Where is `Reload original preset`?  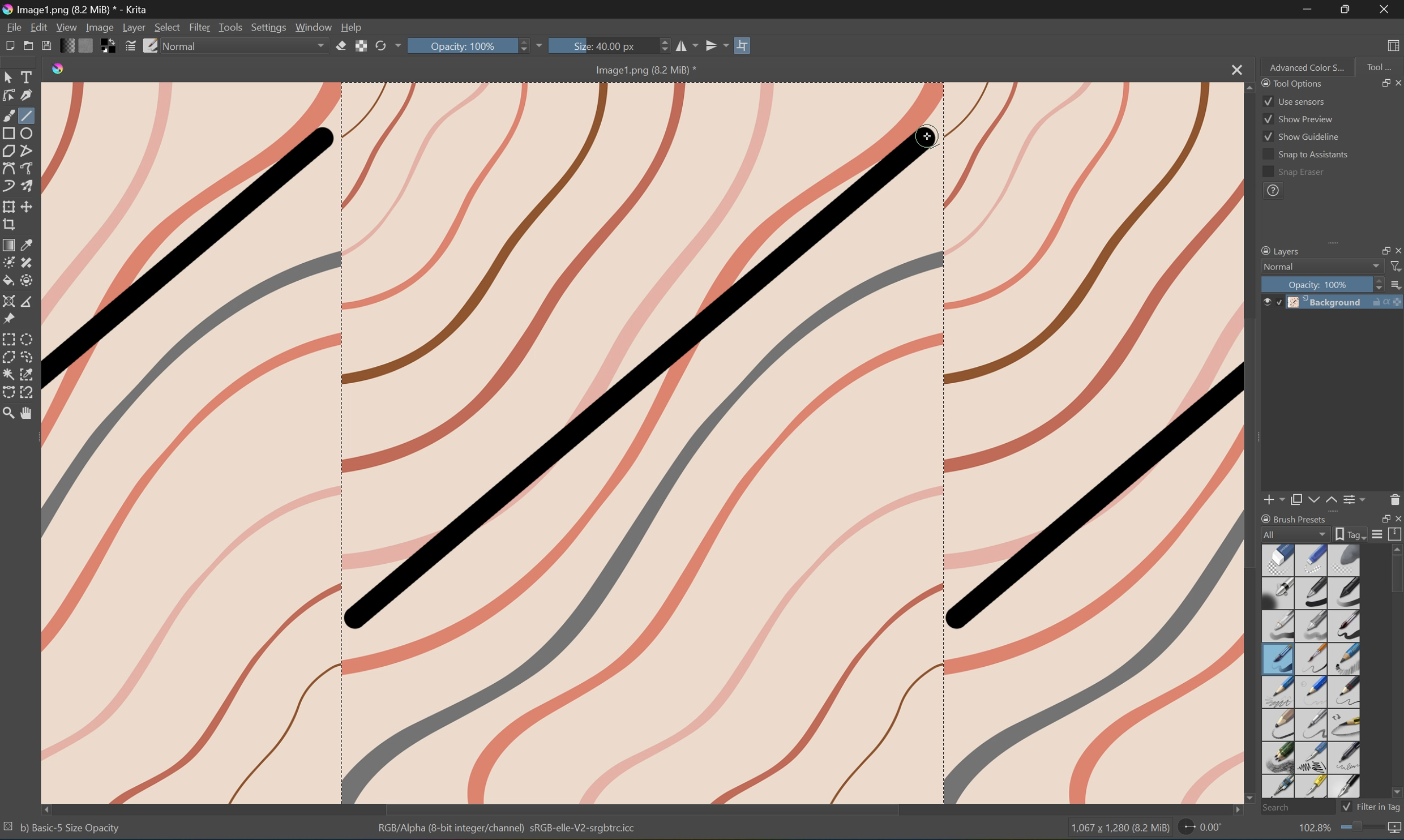
Reload original preset is located at coordinates (380, 46).